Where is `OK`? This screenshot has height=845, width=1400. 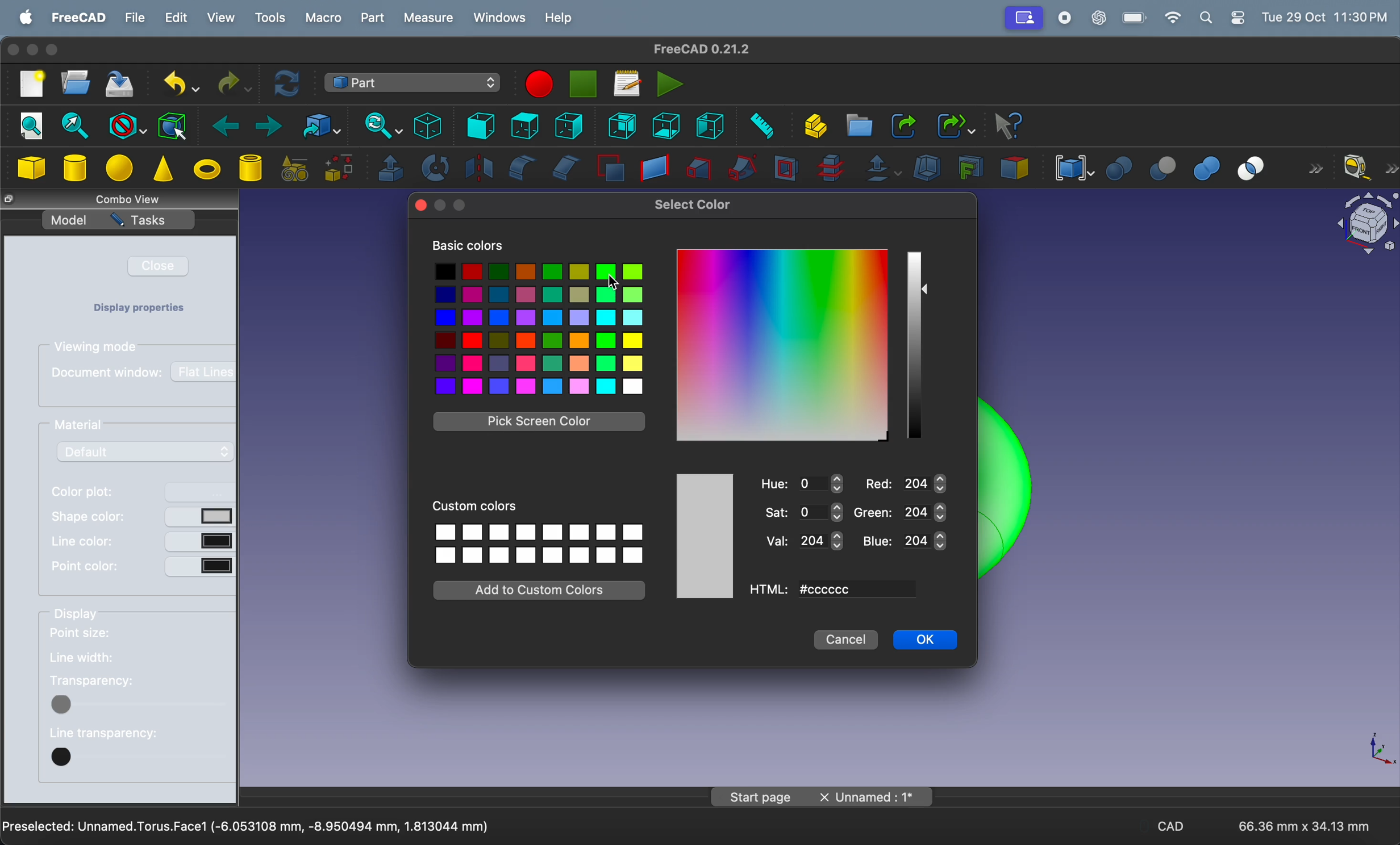 OK is located at coordinates (930, 641).